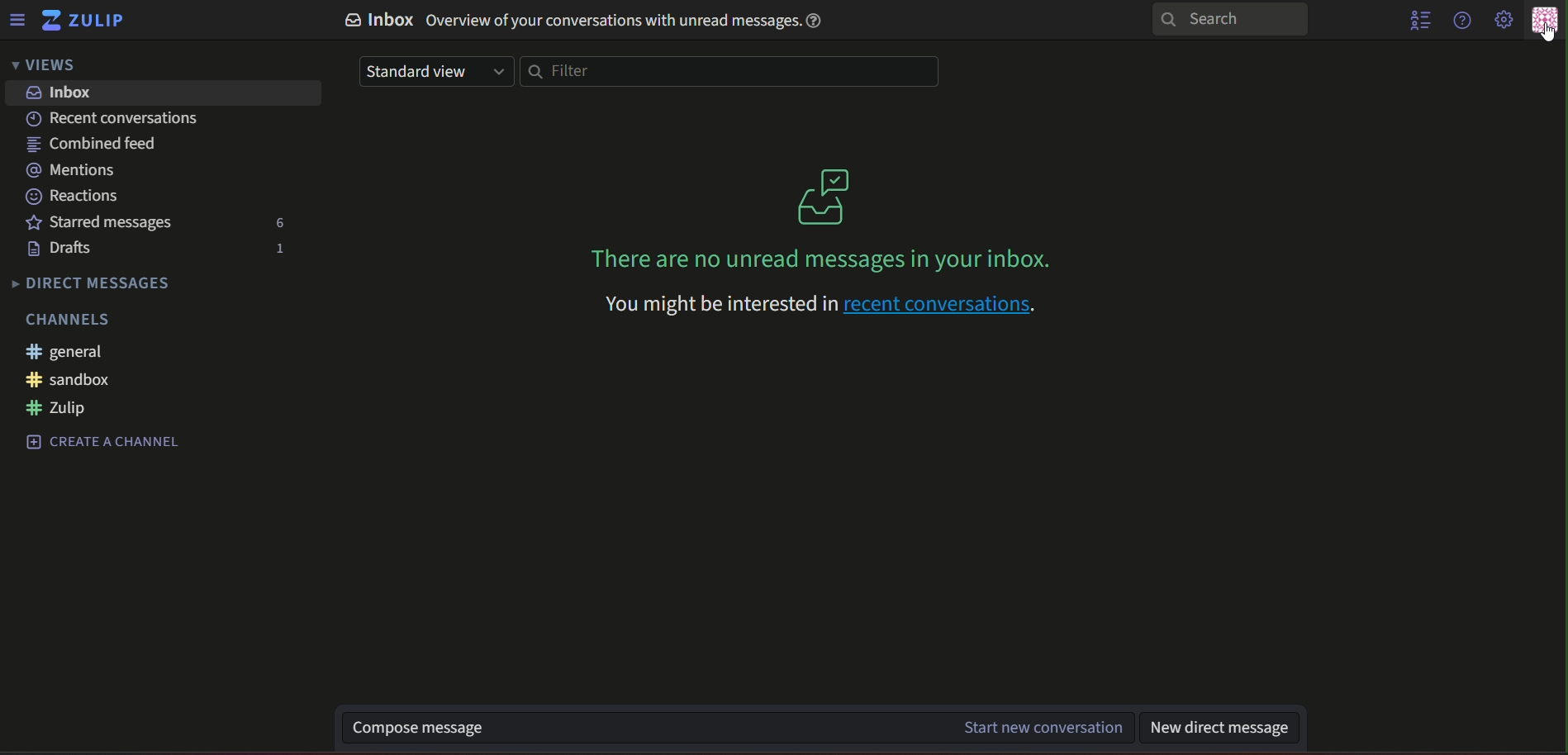 This screenshot has width=1568, height=755. Describe the element at coordinates (77, 198) in the screenshot. I see `Reactions` at that location.